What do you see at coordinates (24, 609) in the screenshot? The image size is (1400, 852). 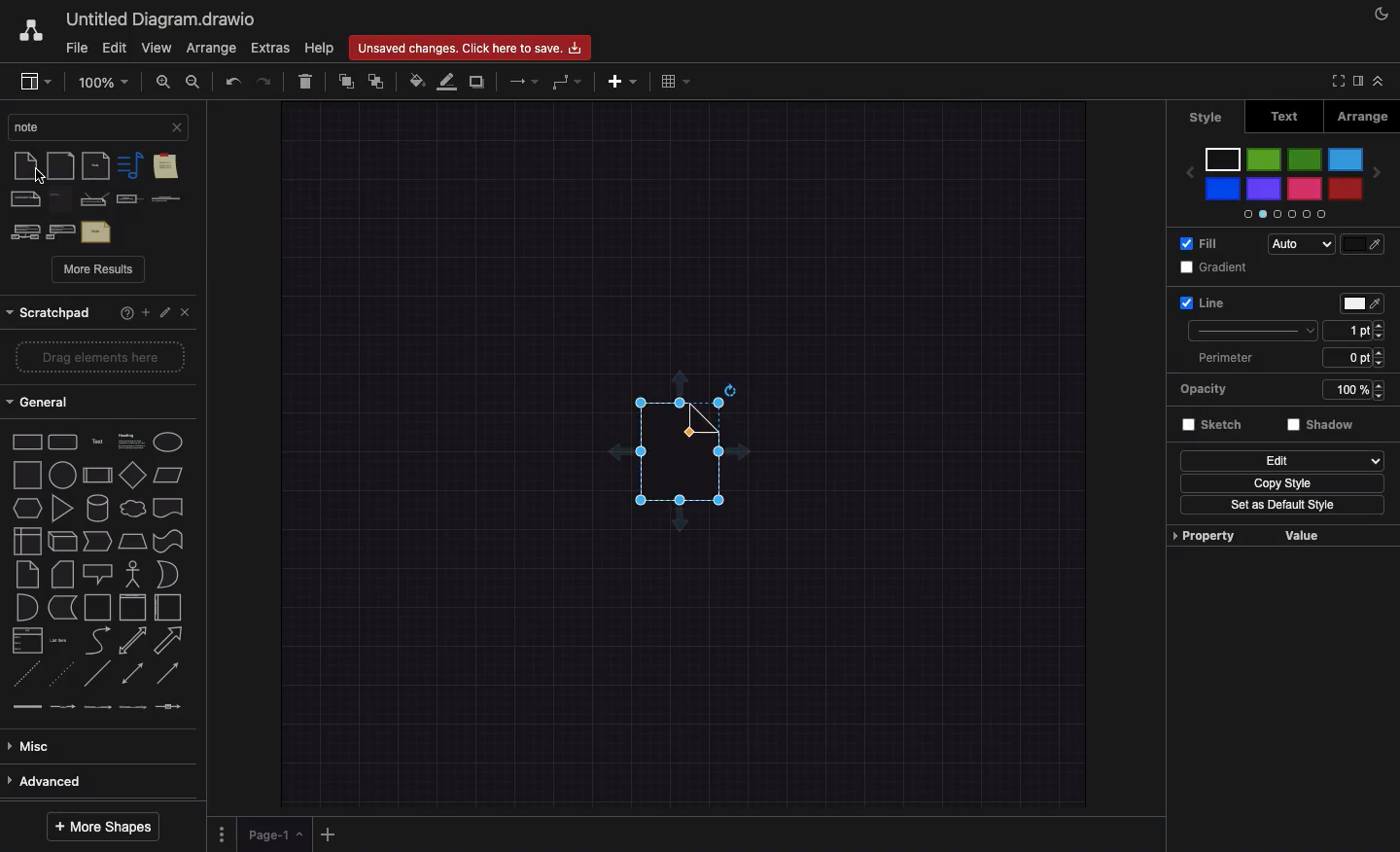 I see `or` at bounding box center [24, 609].